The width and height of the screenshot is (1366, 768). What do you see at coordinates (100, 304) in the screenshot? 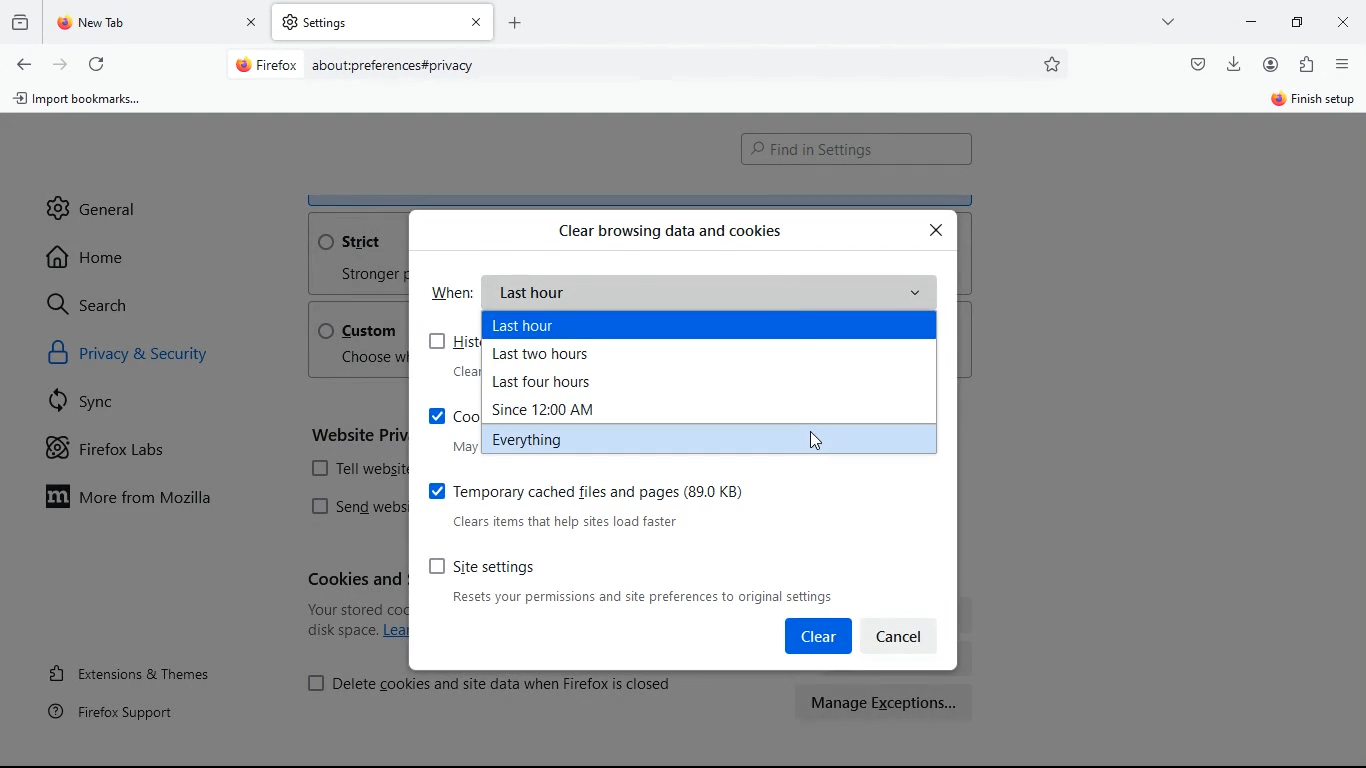
I see `search` at bounding box center [100, 304].